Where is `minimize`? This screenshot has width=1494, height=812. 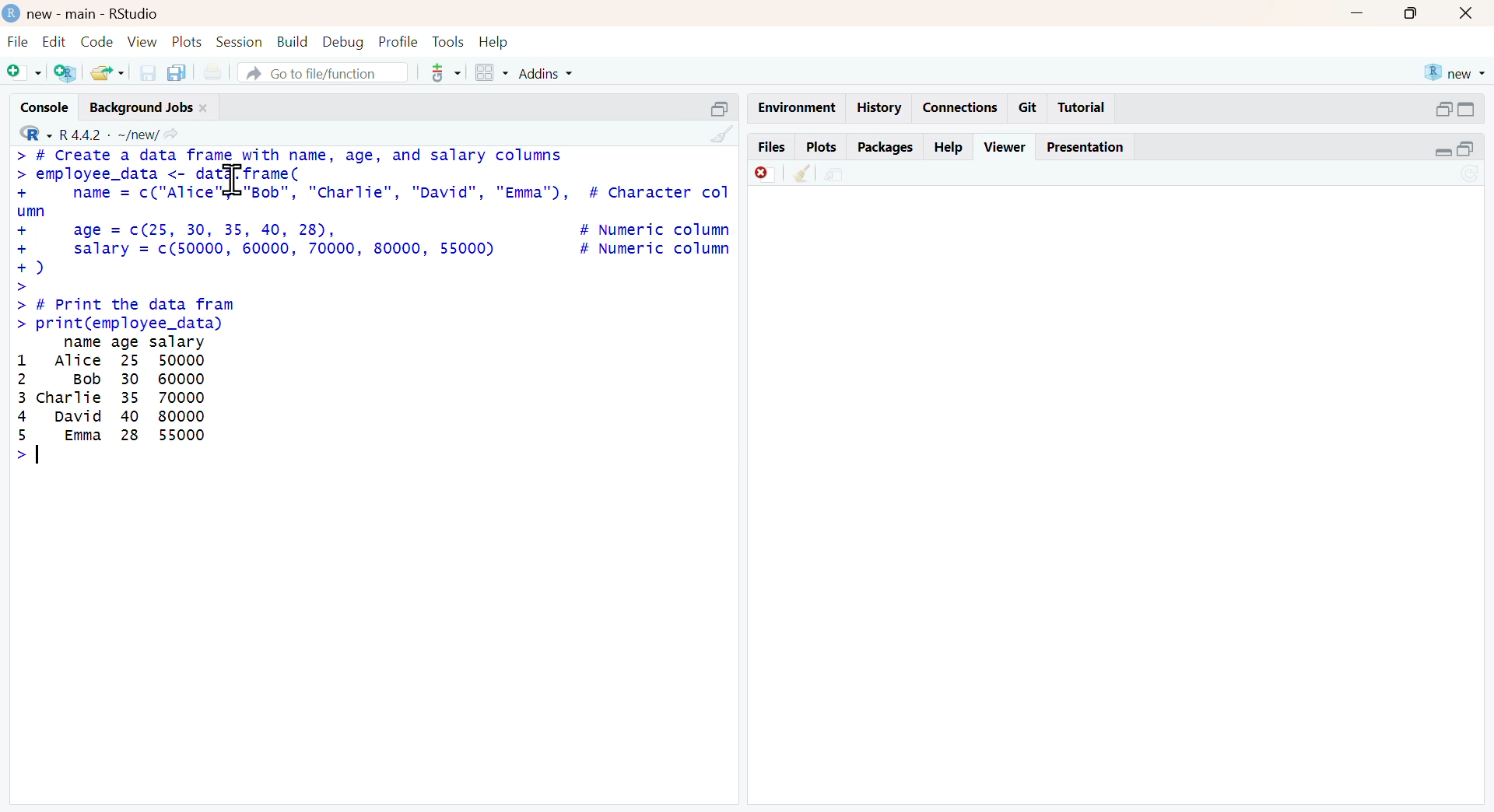
minimize is located at coordinates (1366, 16).